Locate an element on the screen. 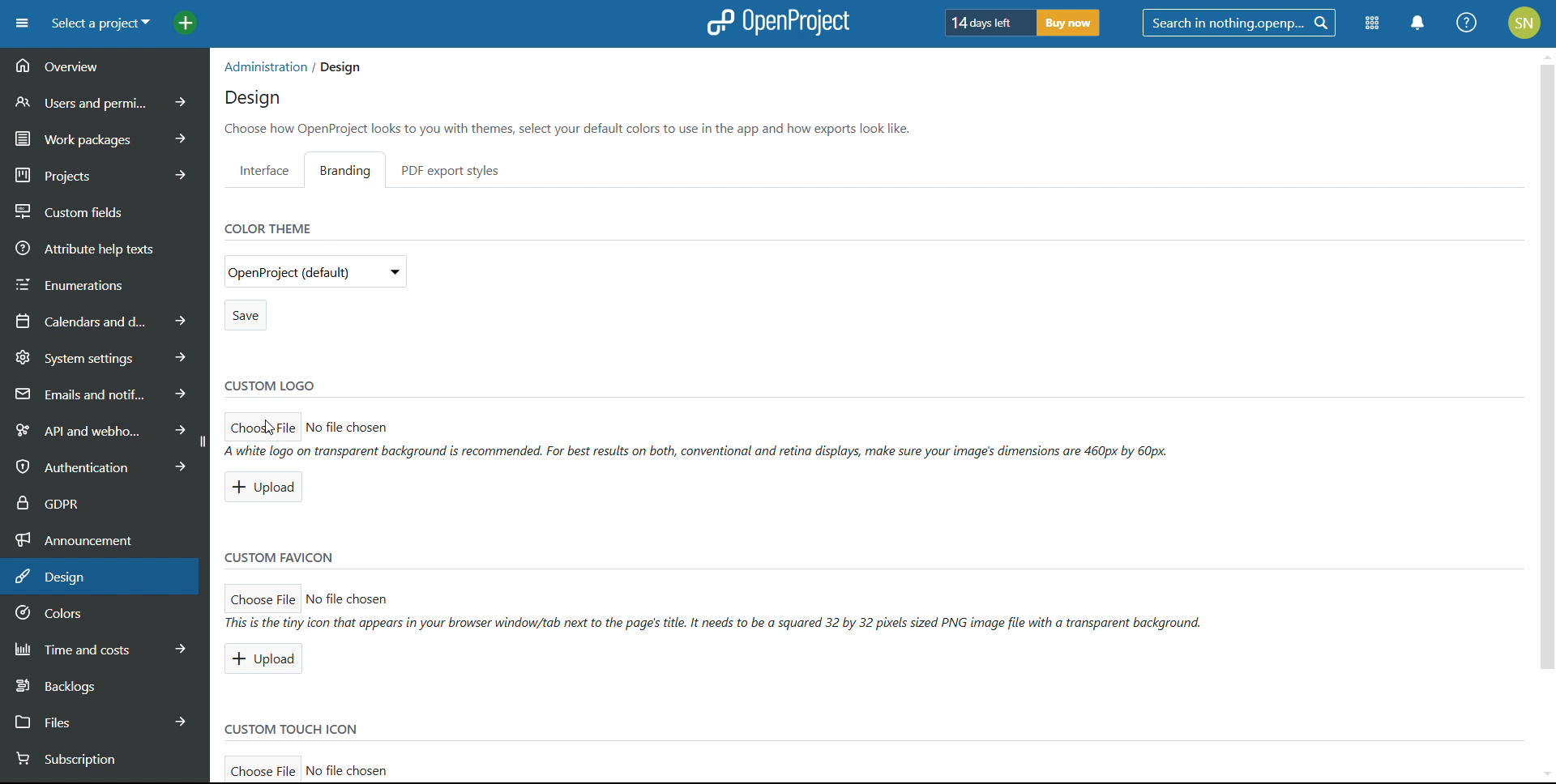 This screenshot has width=1556, height=784. buy now is located at coordinates (1068, 23).